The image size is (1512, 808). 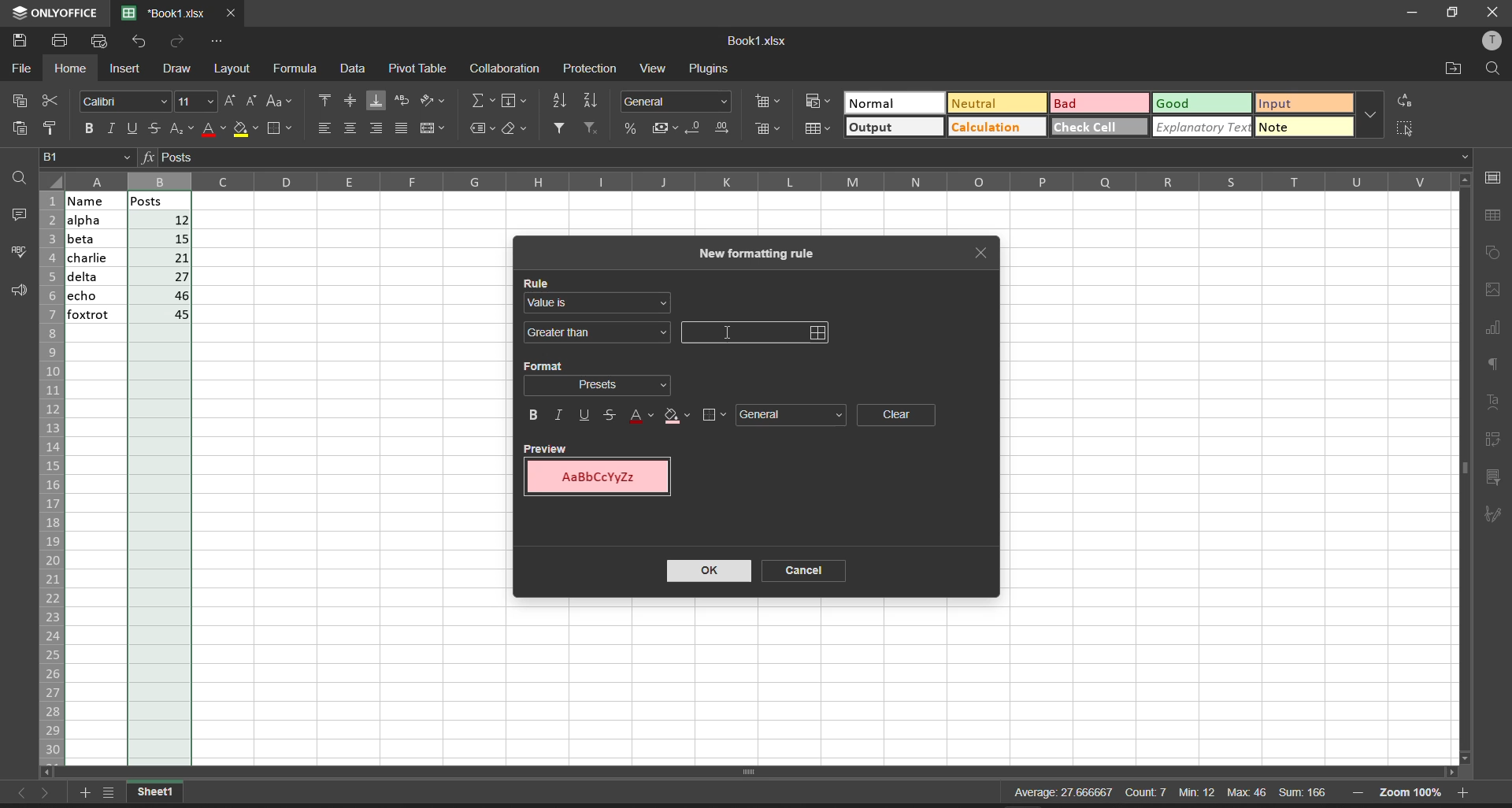 I want to click on user profile, so click(x=1494, y=42).